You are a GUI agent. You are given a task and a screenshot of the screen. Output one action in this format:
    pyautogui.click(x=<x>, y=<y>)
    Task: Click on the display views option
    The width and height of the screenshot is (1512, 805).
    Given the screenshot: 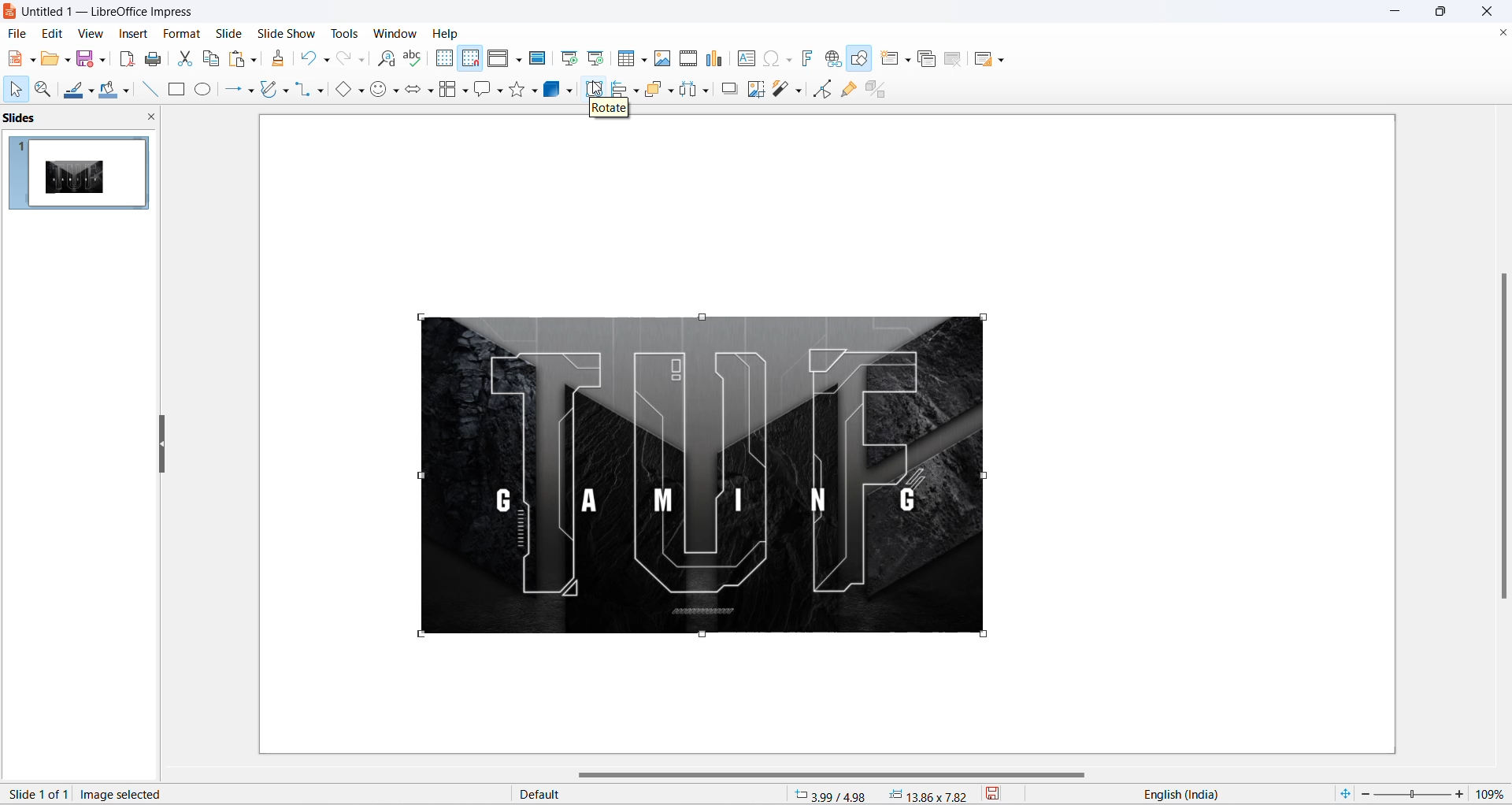 What is the action you would take?
    pyautogui.click(x=519, y=61)
    